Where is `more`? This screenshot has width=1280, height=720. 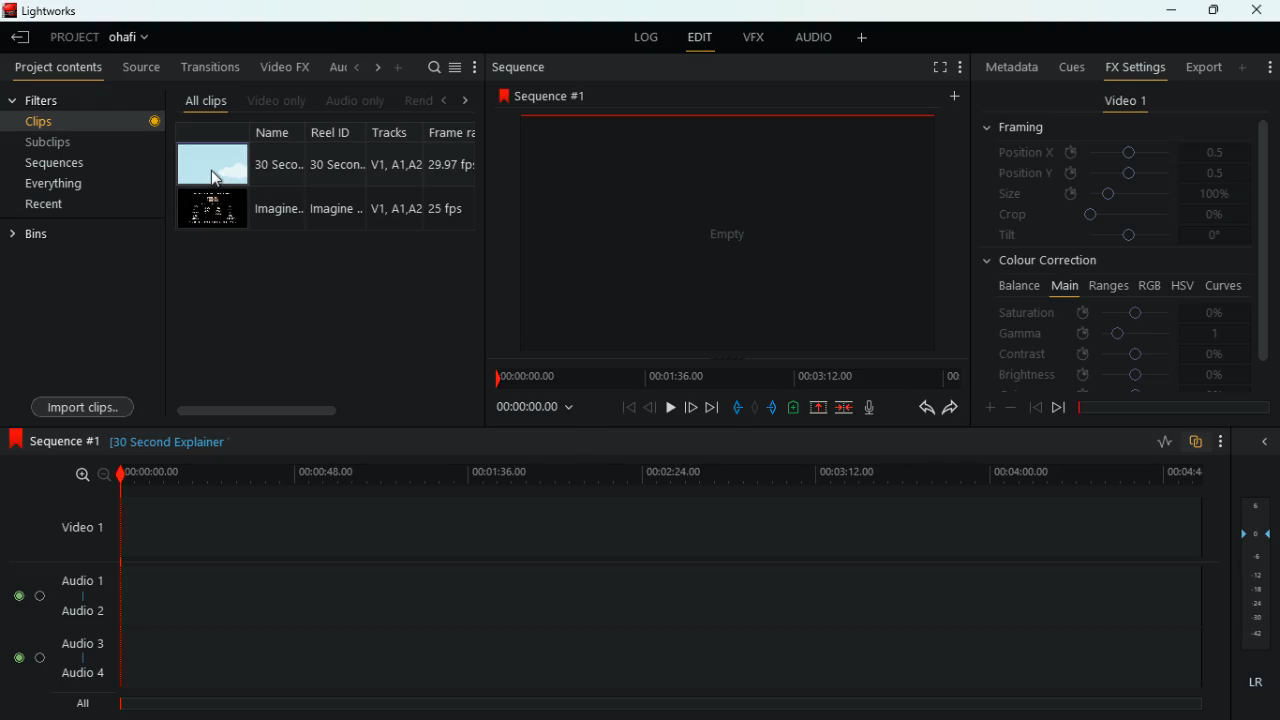 more is located at coordinates (960, 67).